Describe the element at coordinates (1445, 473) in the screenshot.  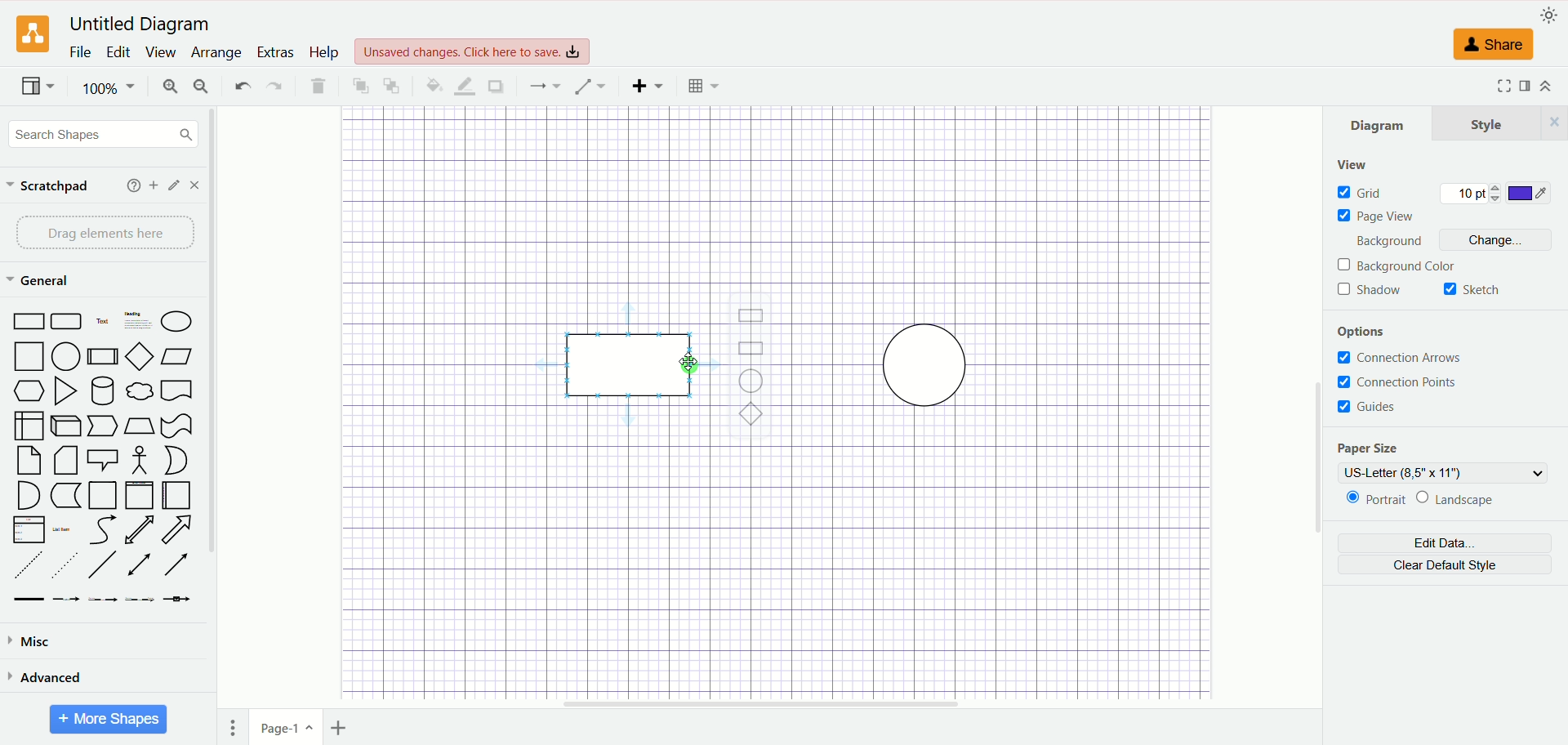
I see `US-letter (8,5" x 11")` at that location.